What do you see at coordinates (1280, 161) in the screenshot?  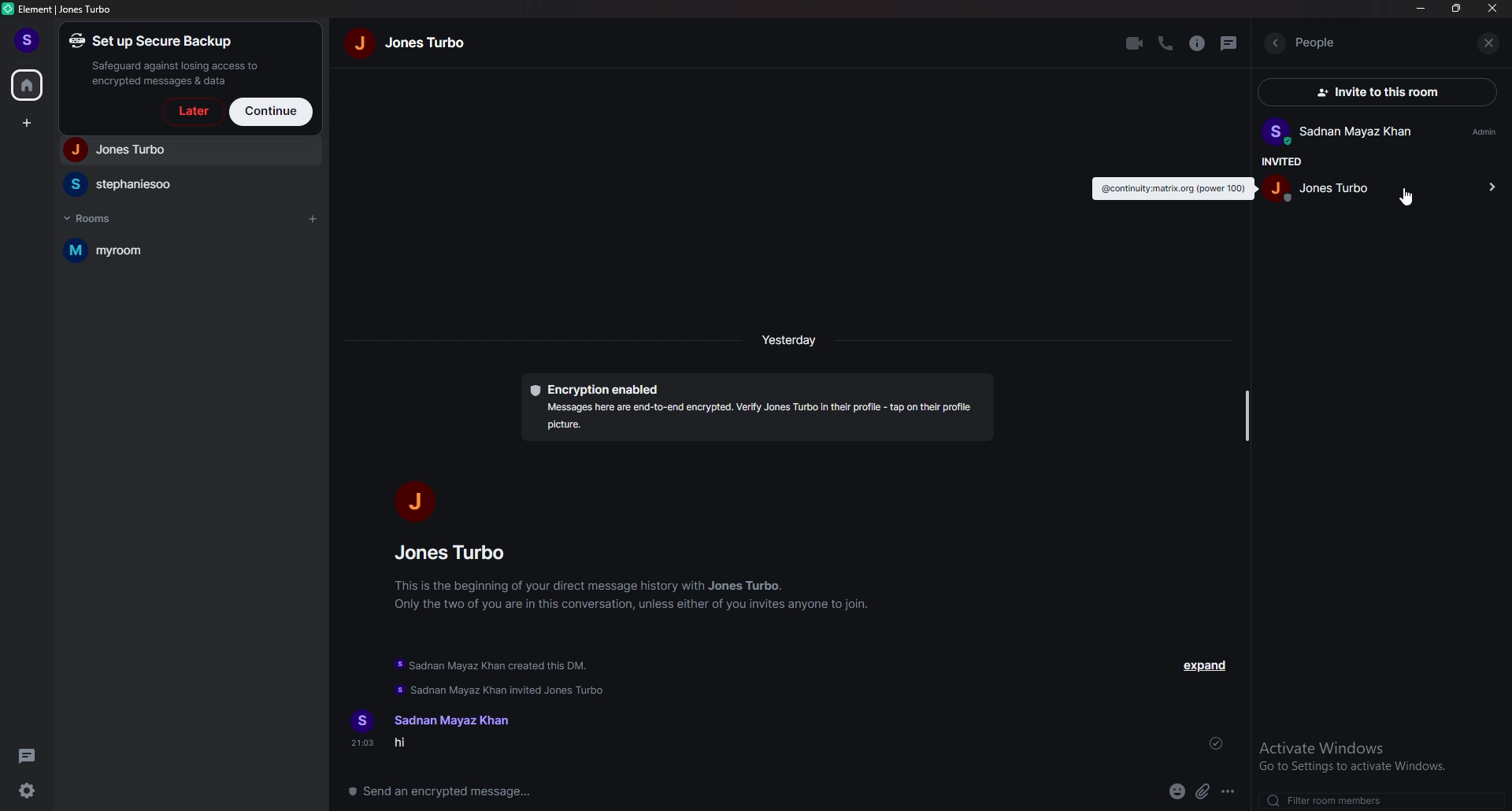 I see `invited` at bounding box center [1280, 161].